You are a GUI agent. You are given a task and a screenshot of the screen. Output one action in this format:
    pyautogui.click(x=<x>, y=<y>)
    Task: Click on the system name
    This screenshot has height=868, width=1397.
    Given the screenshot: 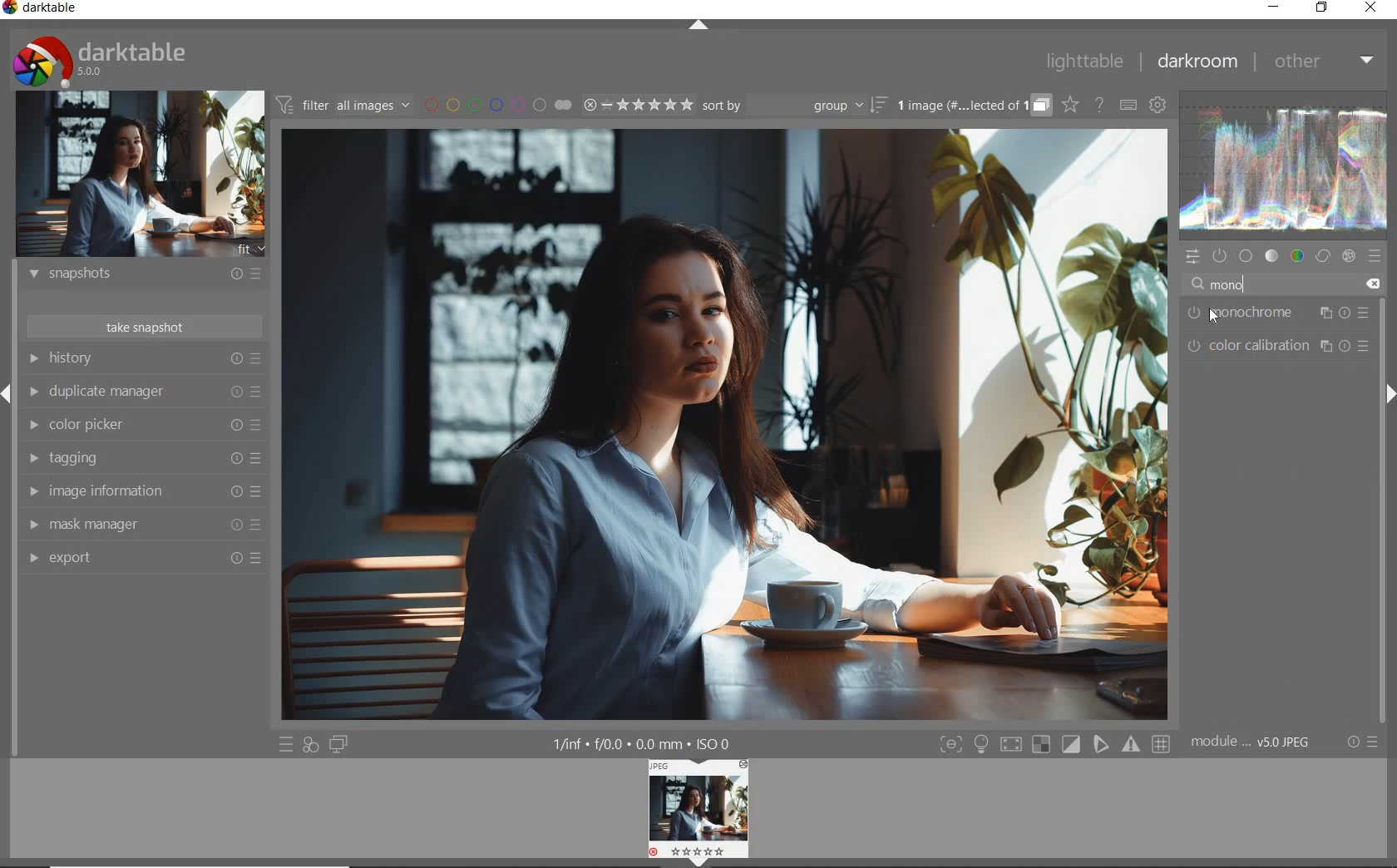 What is the action you would take?
    pyautogui.click(x=42, y=10)
    